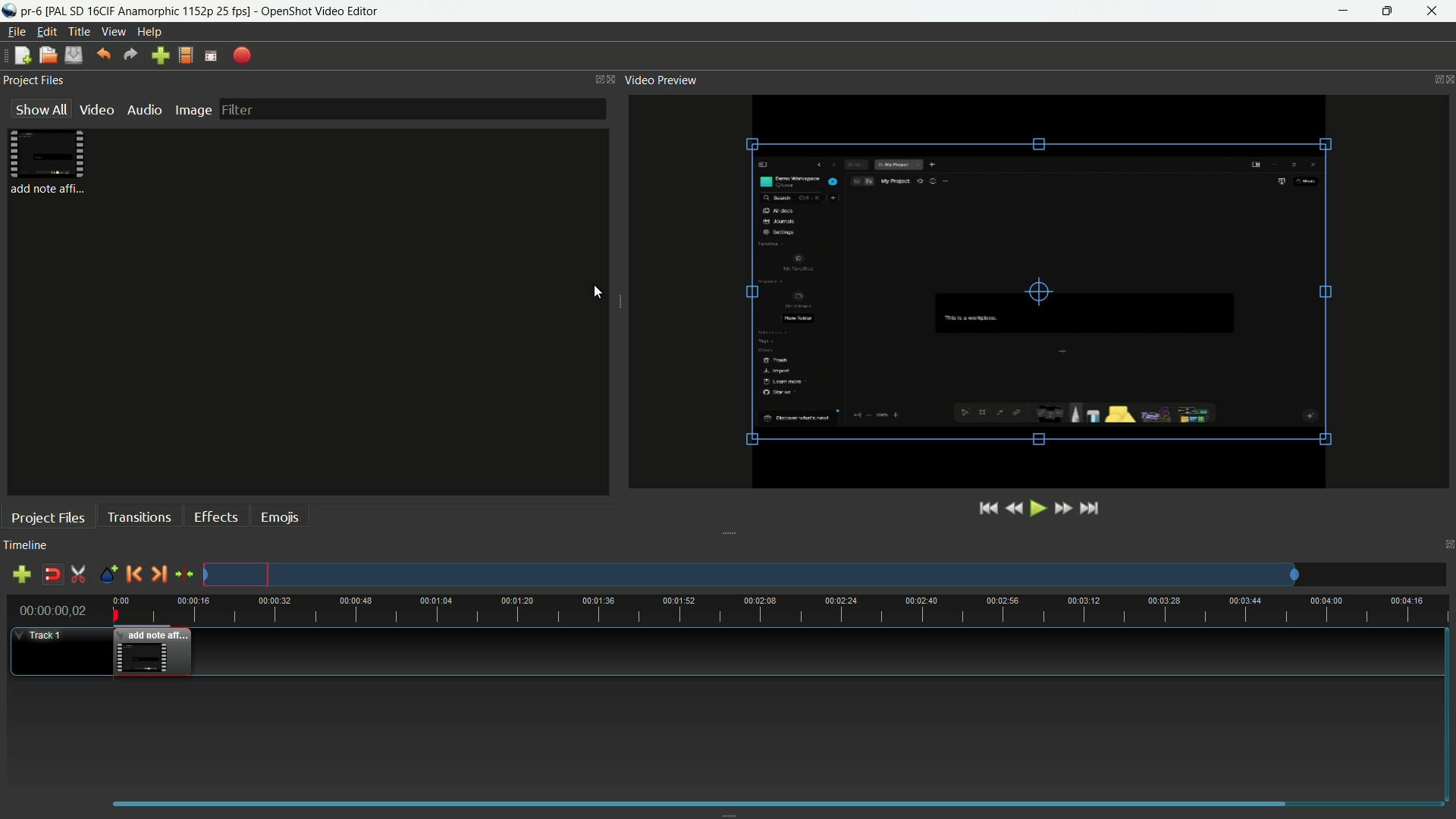  What do you see at coordinates (26, 545) in the screenshot?
I see `timeline` at bounding box center [26, 545].